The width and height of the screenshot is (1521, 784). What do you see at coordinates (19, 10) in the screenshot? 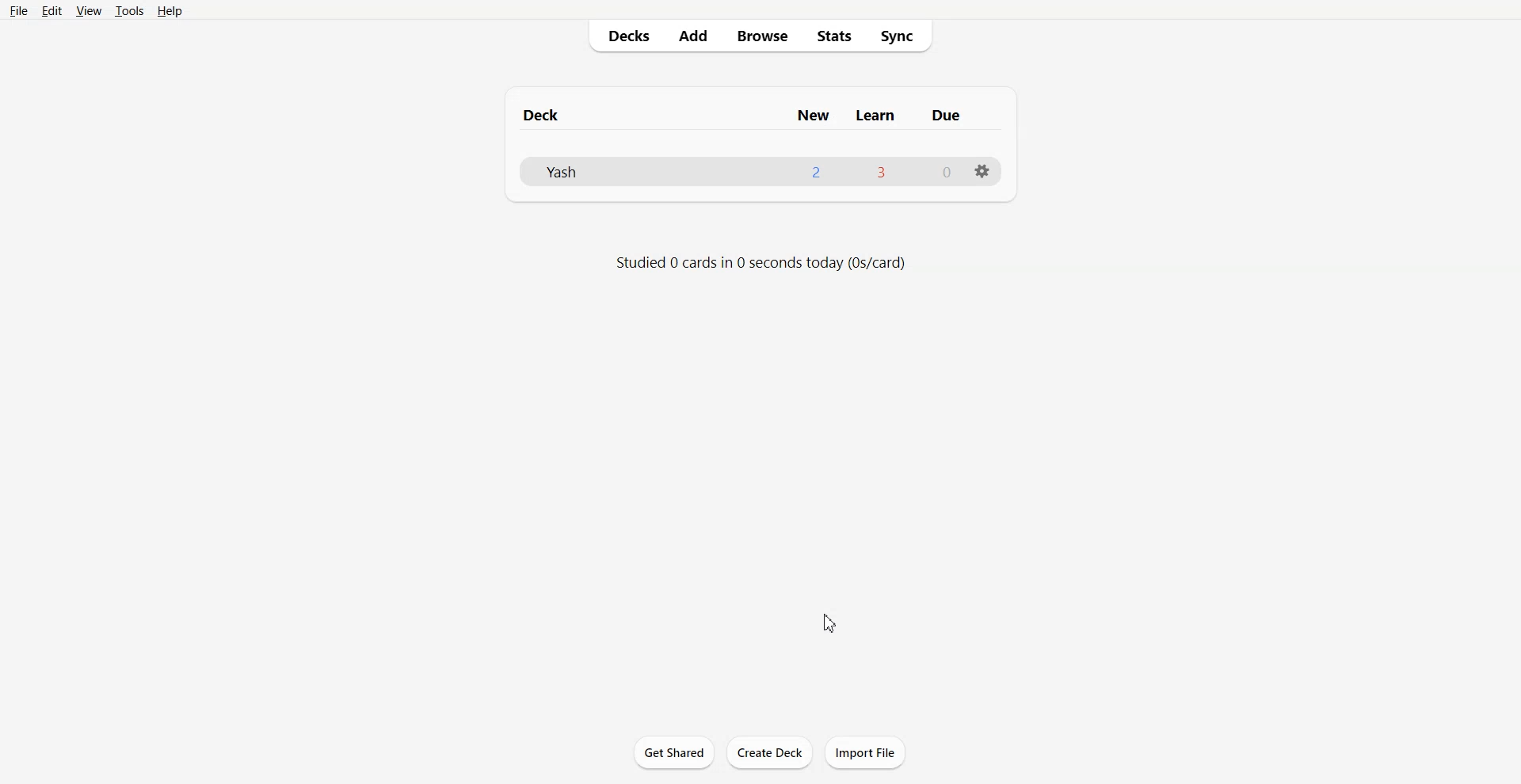
I see `File` at bounding box center [19, 10].